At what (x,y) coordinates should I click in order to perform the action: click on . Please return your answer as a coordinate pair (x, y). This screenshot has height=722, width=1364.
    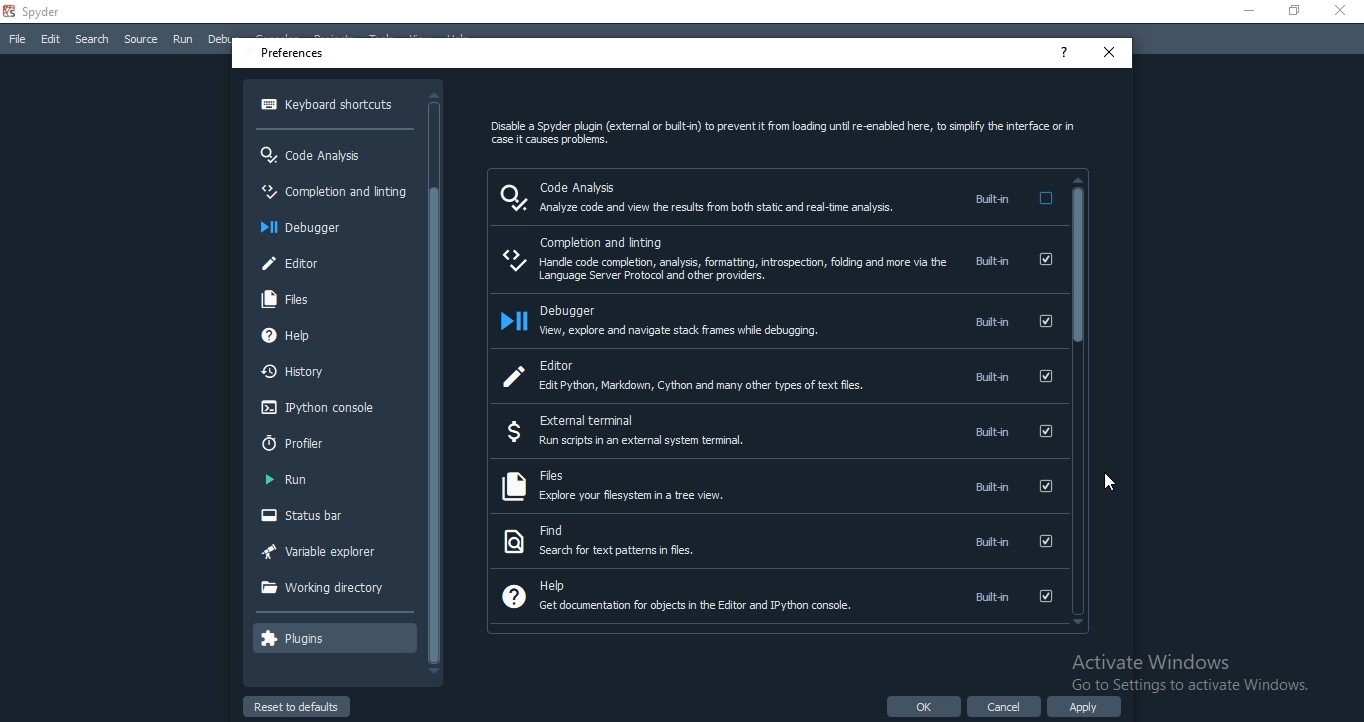
    Looking at the image, I should click on (1189, 672).